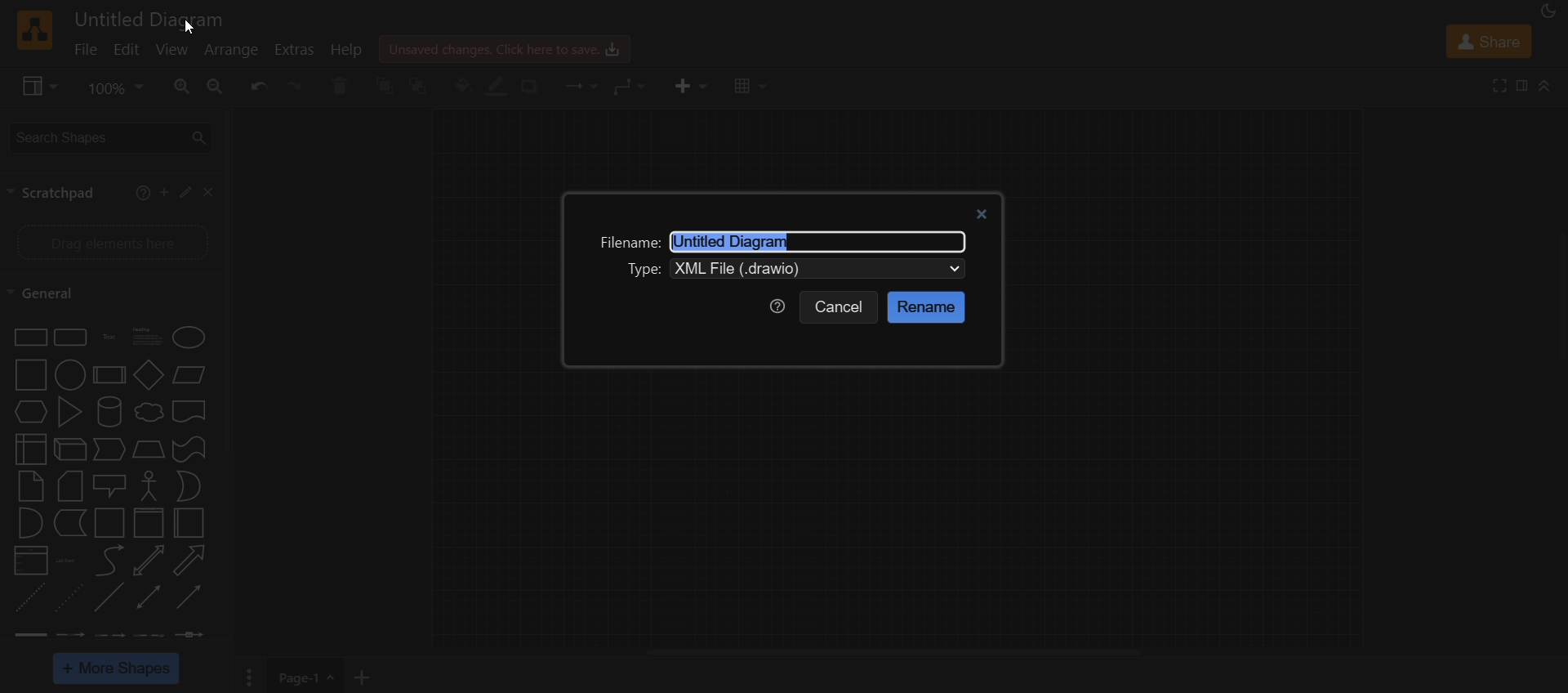 This screenshot has height=693, width=1568. I want to click on redo, so click(296, 87).